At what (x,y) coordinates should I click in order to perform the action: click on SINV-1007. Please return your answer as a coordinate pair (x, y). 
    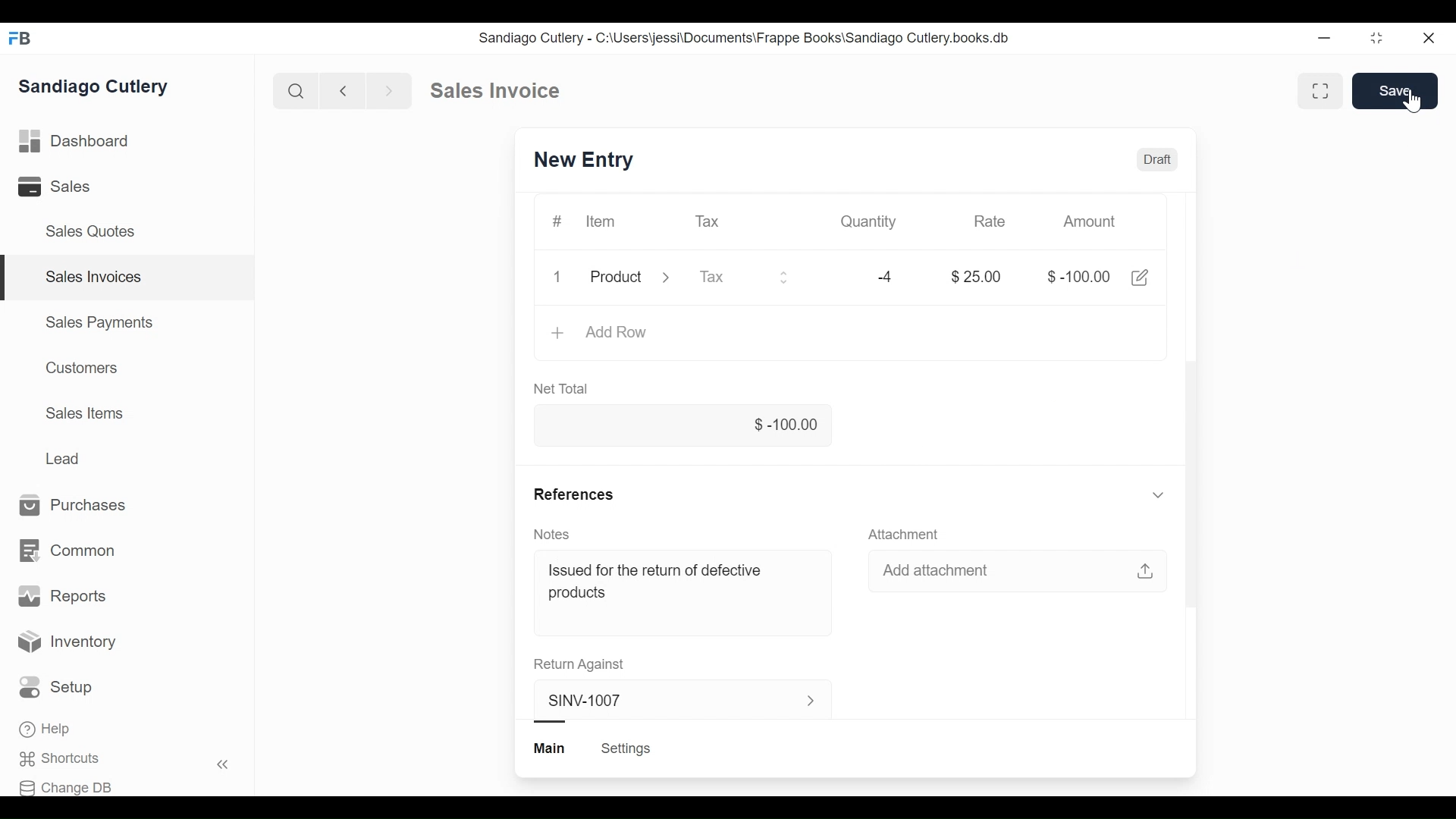
    Looking at the image, I should click on (674, 701).